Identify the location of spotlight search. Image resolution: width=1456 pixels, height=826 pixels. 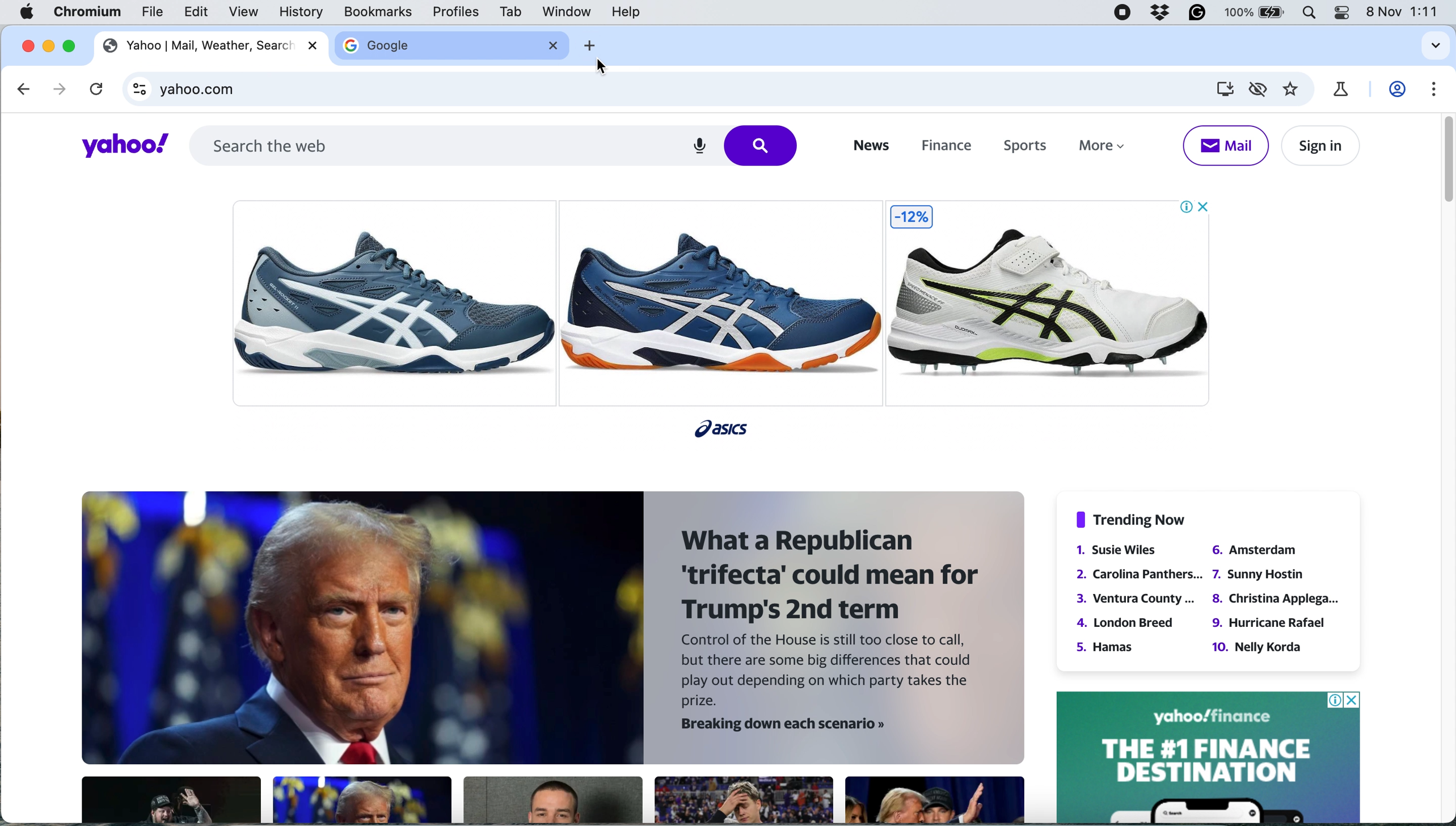
(1306, 14).